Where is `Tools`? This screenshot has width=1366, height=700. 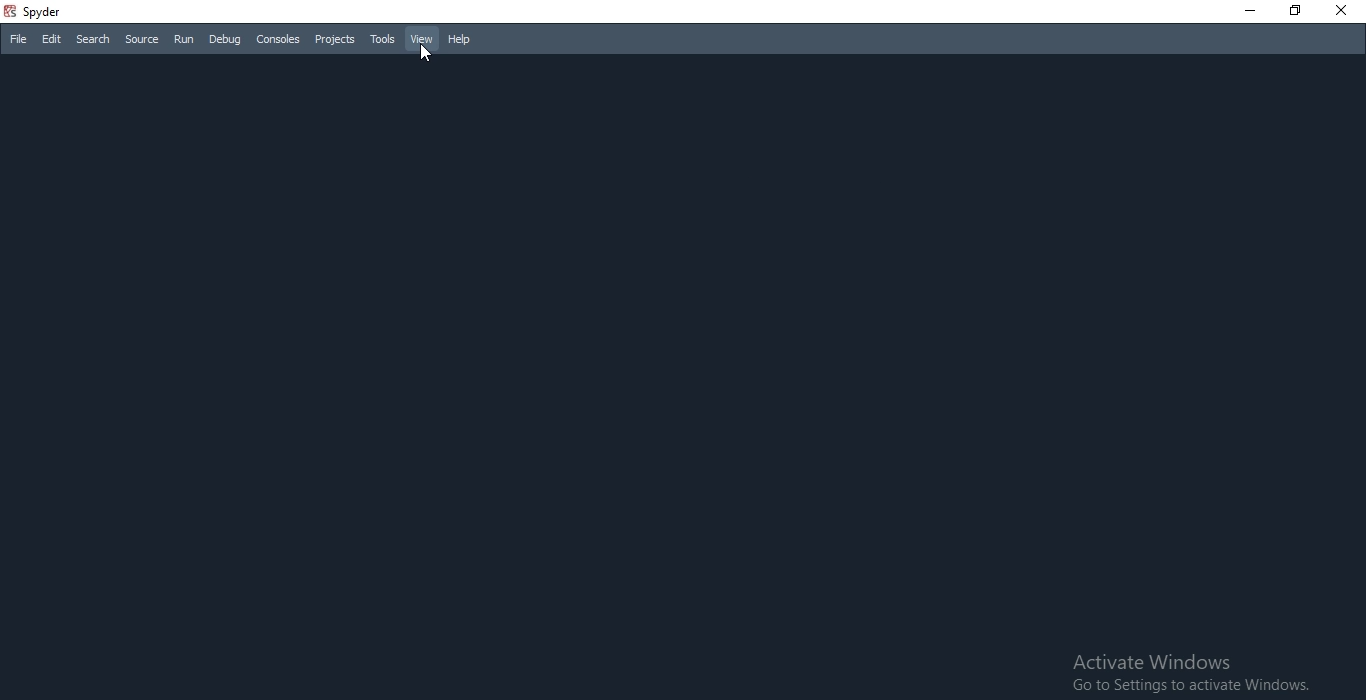
Tools is located at coordinates (384, 38).